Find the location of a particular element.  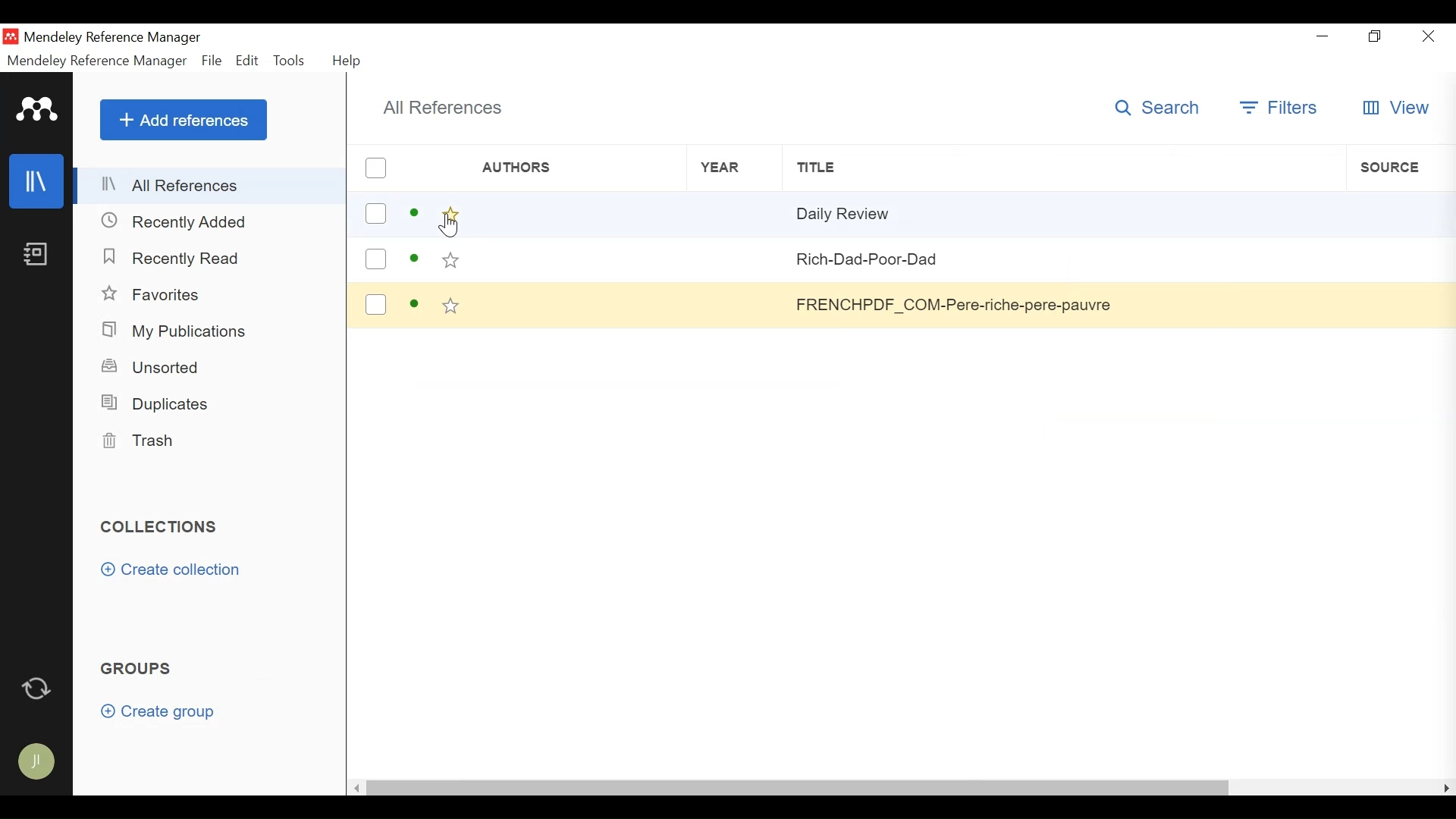

Help is located at coordinates (345, 59).